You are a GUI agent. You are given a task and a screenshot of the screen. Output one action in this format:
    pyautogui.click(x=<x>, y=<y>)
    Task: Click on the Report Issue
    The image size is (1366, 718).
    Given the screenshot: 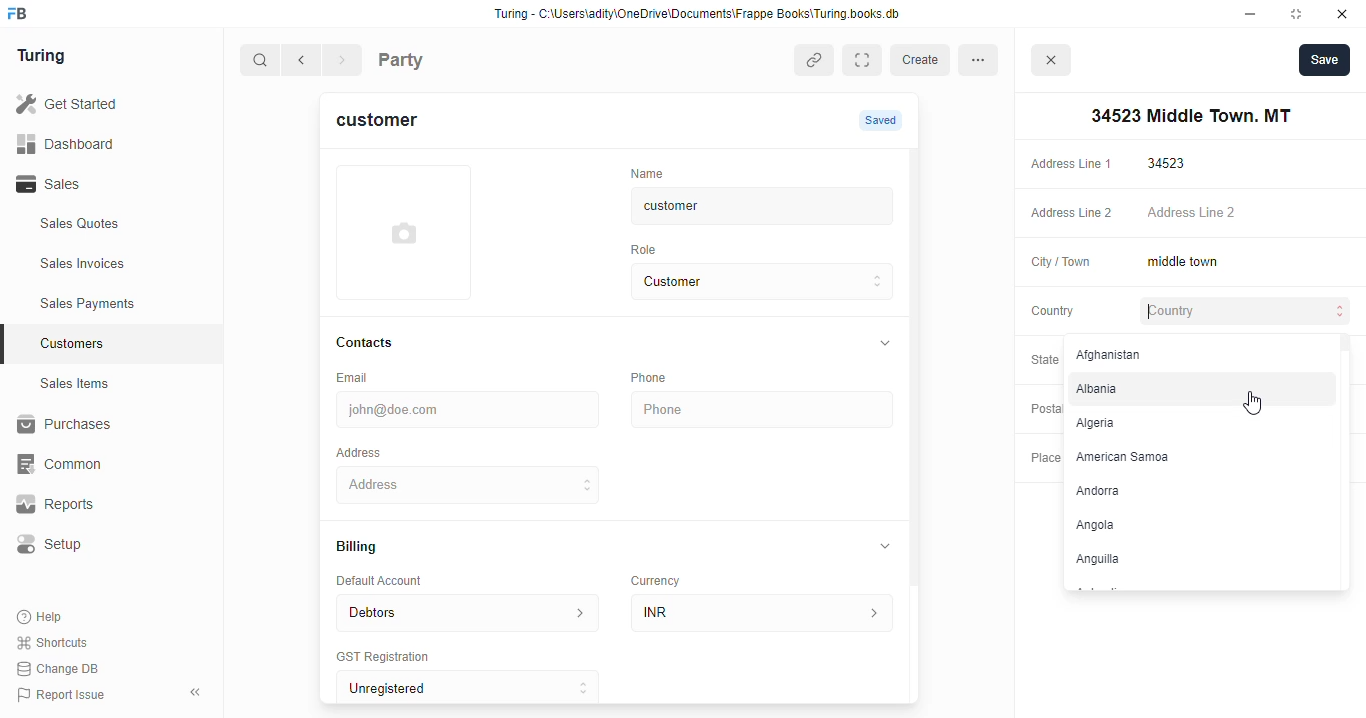 What is the action you would take?
    pyautogui.click(x=65, y=693)
    